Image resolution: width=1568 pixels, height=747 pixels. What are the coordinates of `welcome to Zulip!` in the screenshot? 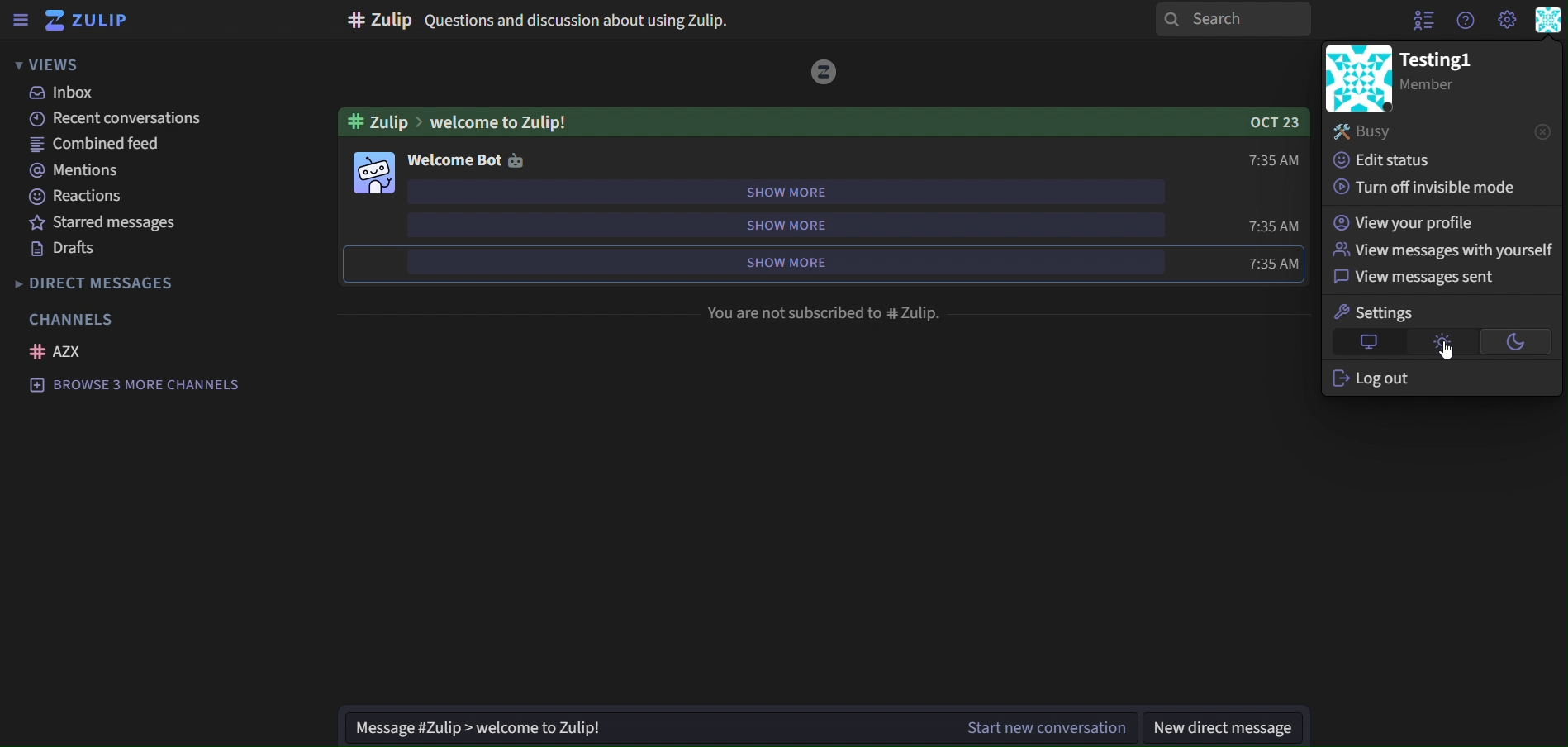 It's located at (504, 123).